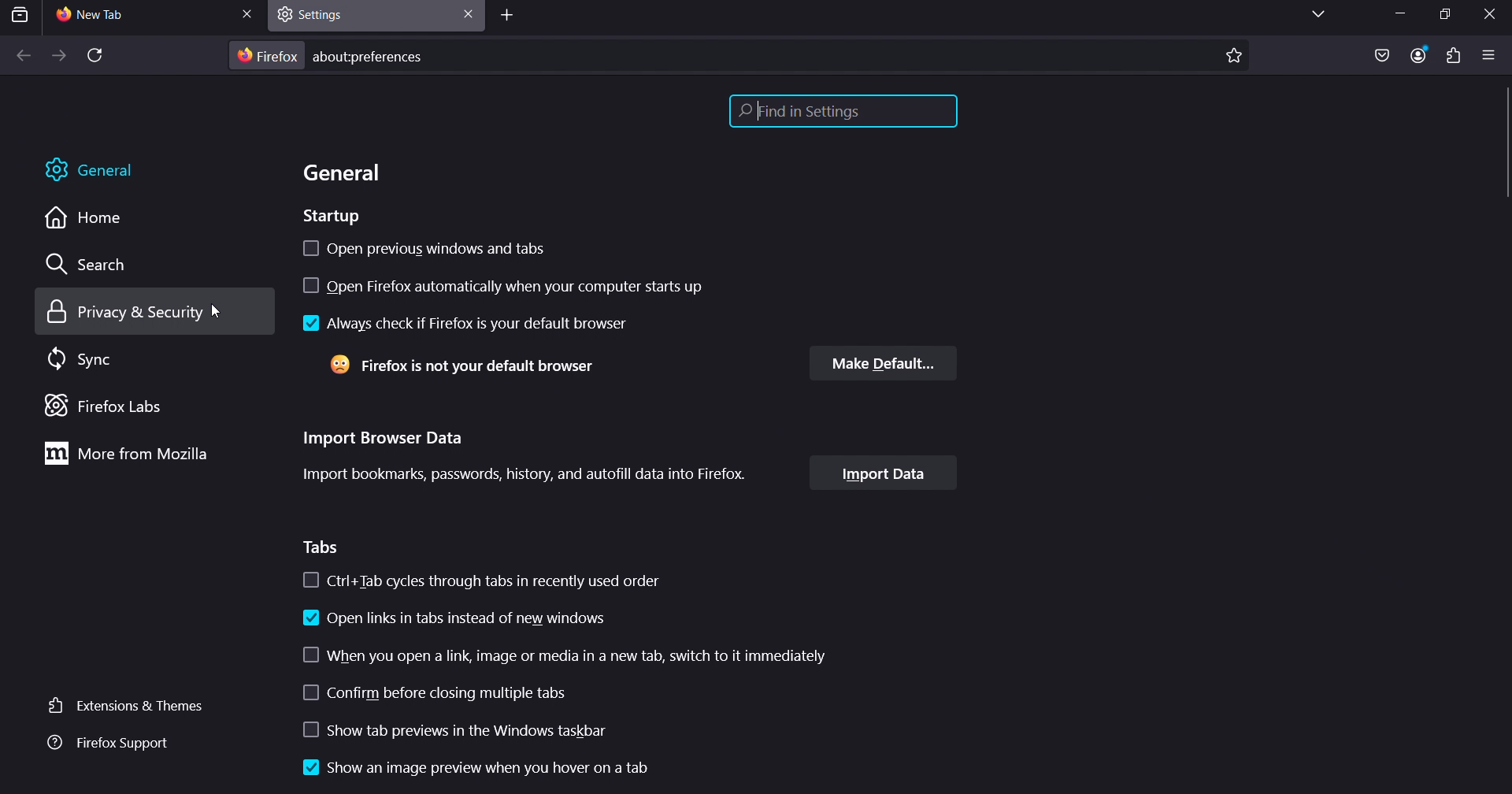  I want to click on current tab, so click(110, 16).